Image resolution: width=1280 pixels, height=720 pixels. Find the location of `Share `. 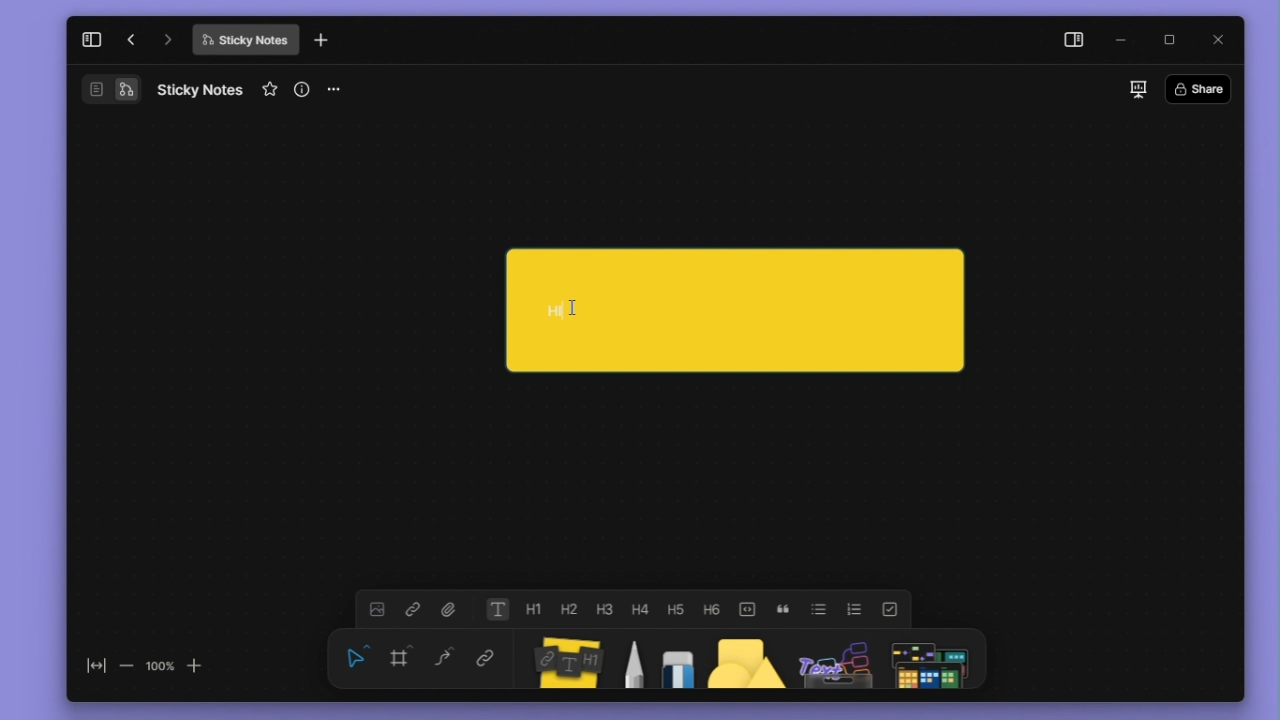

Share  is located at coordinates (1198, 89).